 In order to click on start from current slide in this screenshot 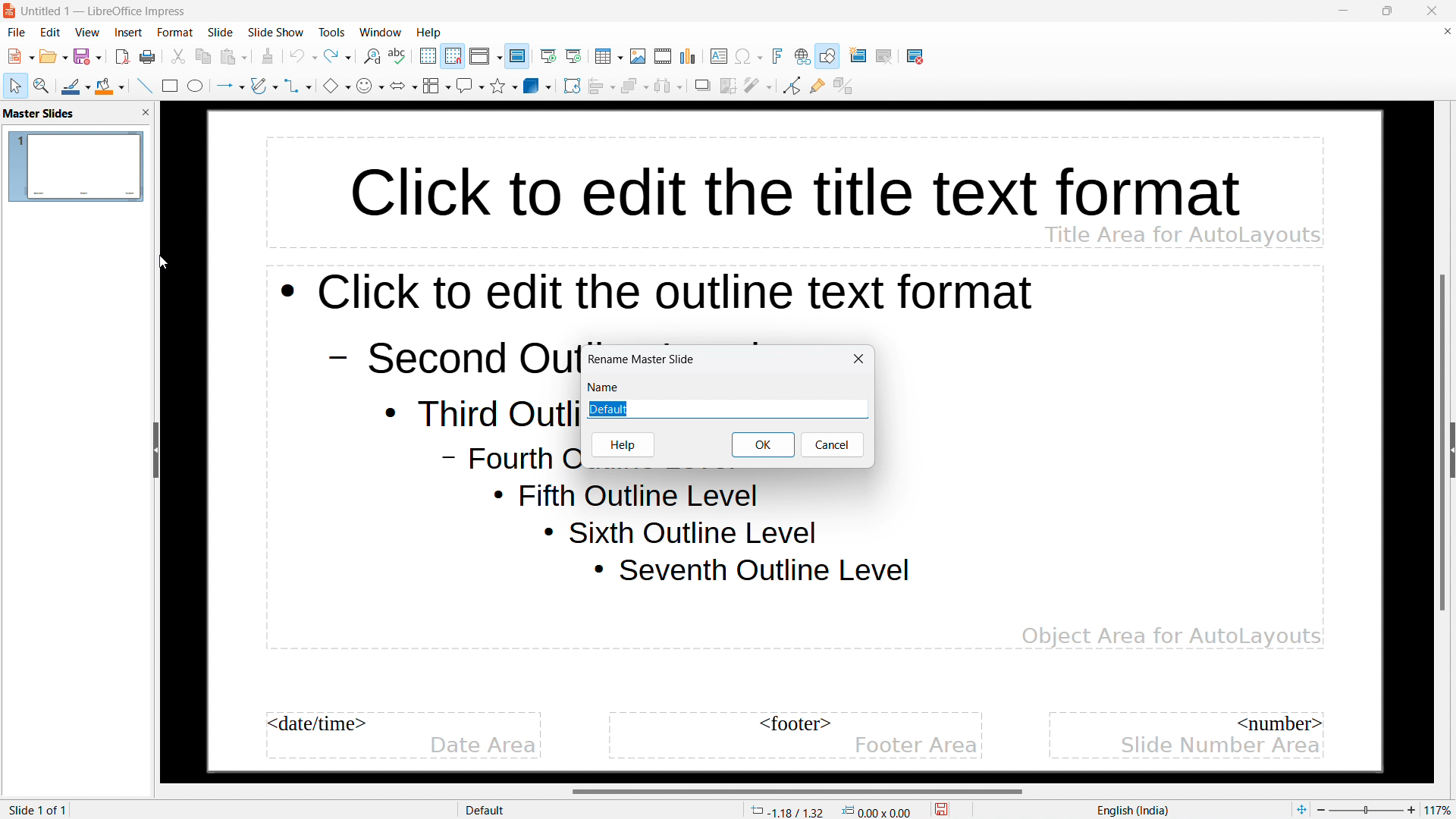, I will do `click(574, 56)`.